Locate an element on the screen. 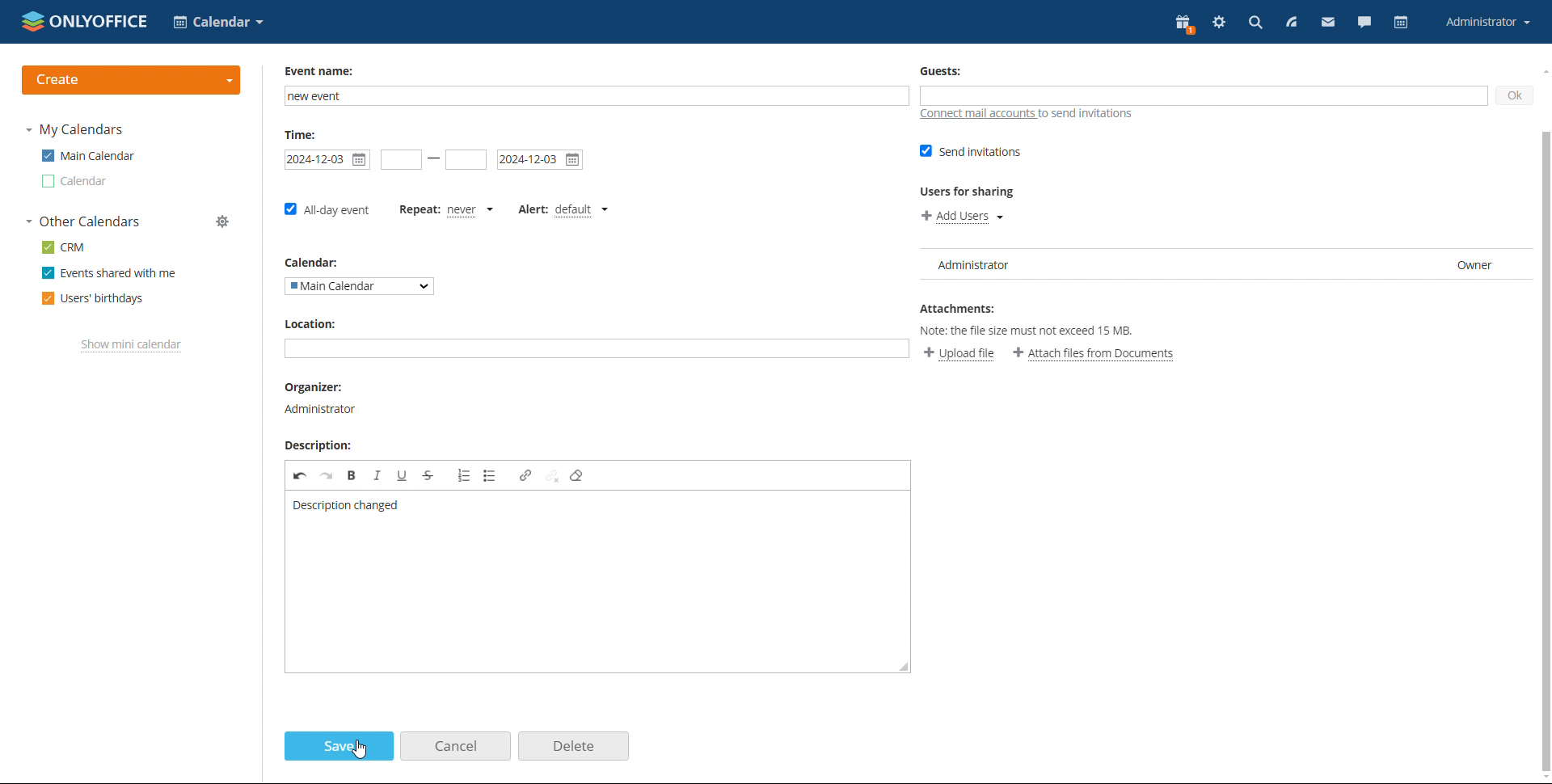 The width and height of the screenshot is (1552, 784). unlink is located at coordinates (553, 478).